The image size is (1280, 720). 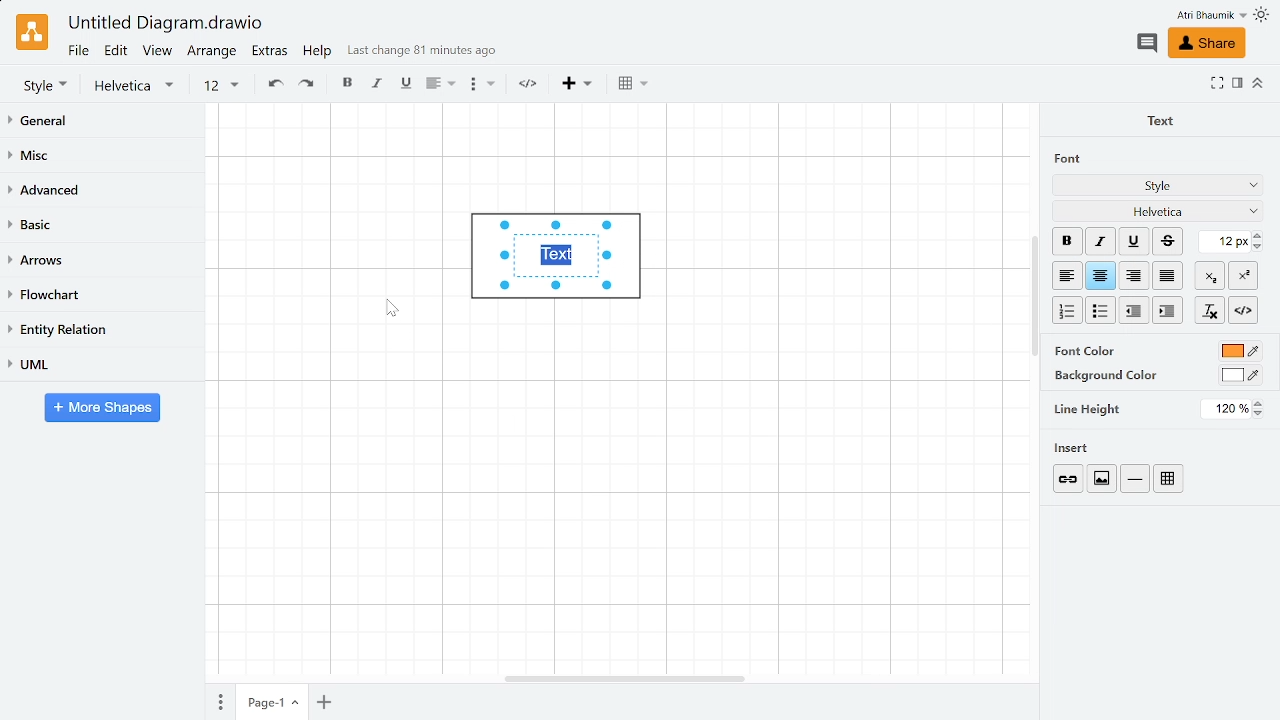 I want to click on Table, so click(x=1172, y=477).